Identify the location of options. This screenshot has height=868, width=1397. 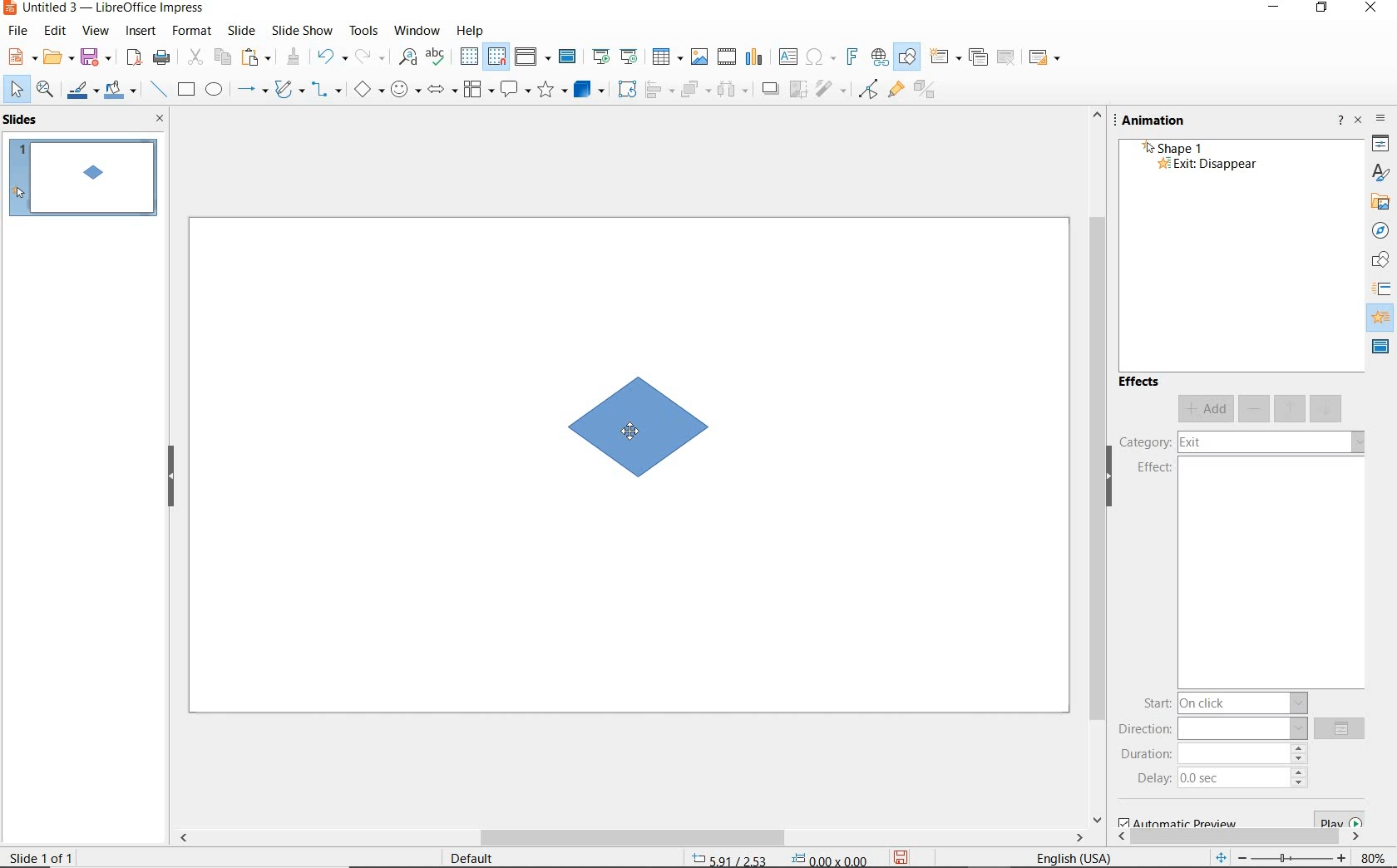
(1341, 729).